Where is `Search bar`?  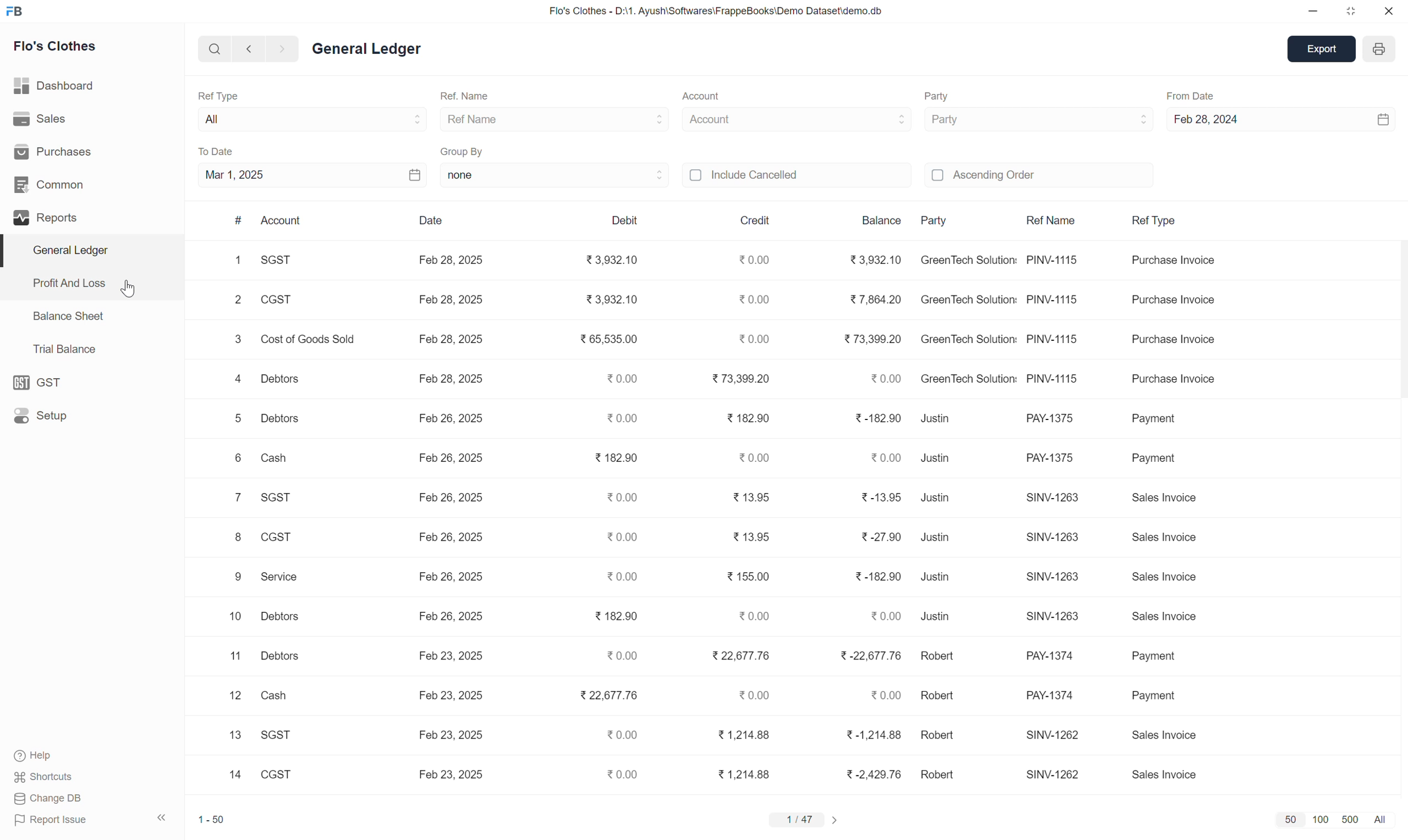 Search bar is located at coordinates (207, 52).